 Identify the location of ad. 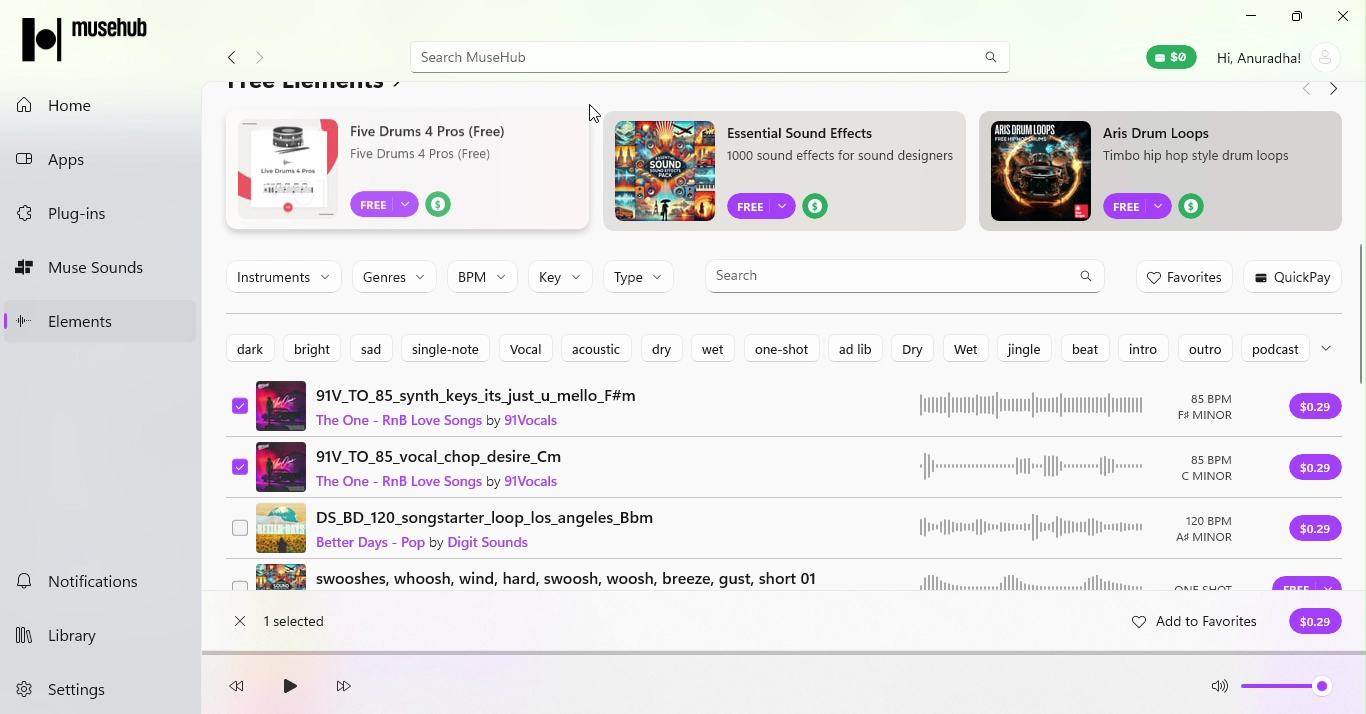
(1166, 172).